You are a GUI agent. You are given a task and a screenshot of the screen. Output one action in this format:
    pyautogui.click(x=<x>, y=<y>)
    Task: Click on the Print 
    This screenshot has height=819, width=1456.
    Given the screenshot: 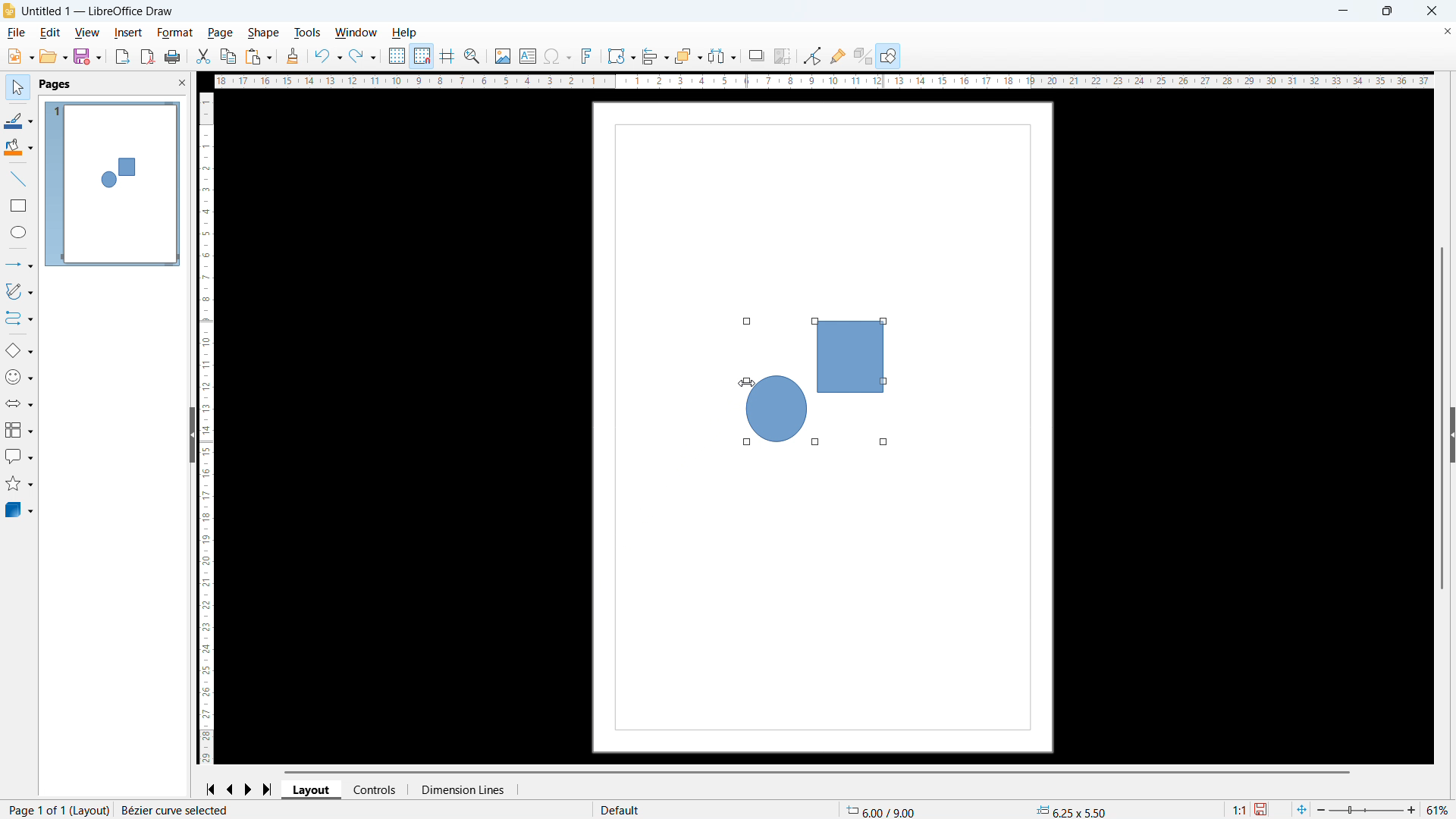 What is the action you would take?
    pyautogui.click(x=173, y=56)
    